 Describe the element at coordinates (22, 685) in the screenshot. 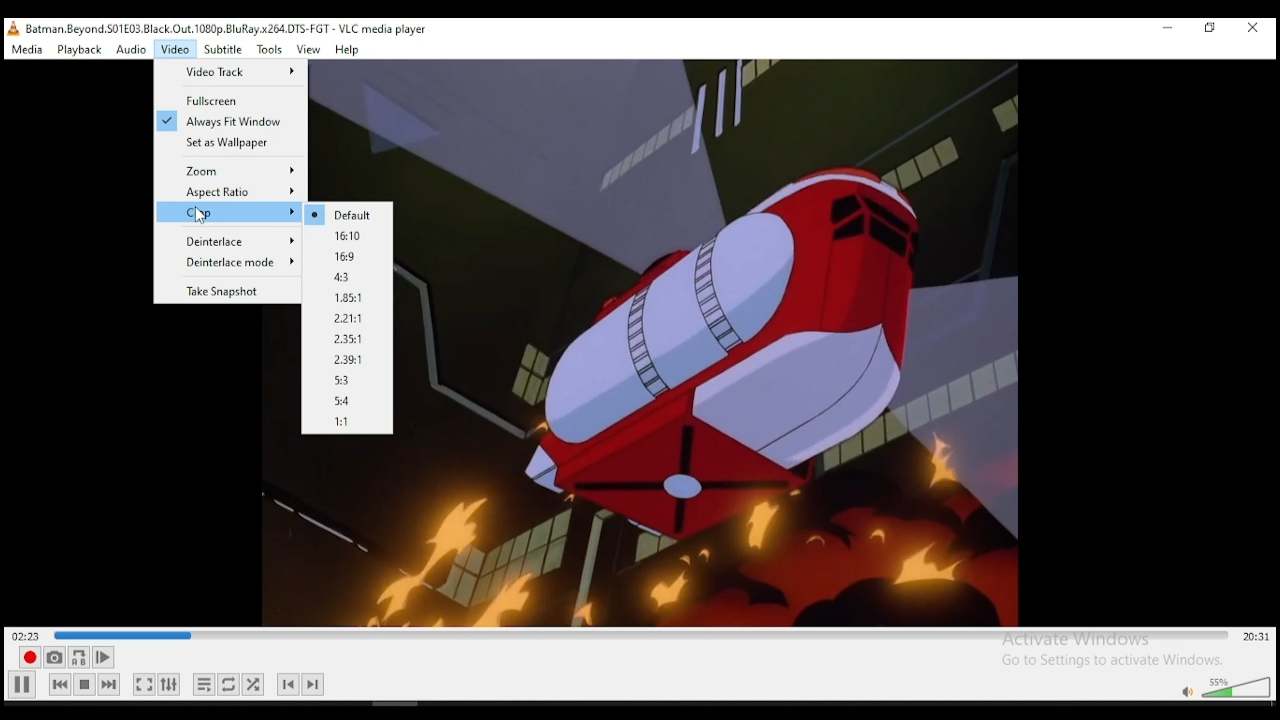

I see `Play/pause` at that location.